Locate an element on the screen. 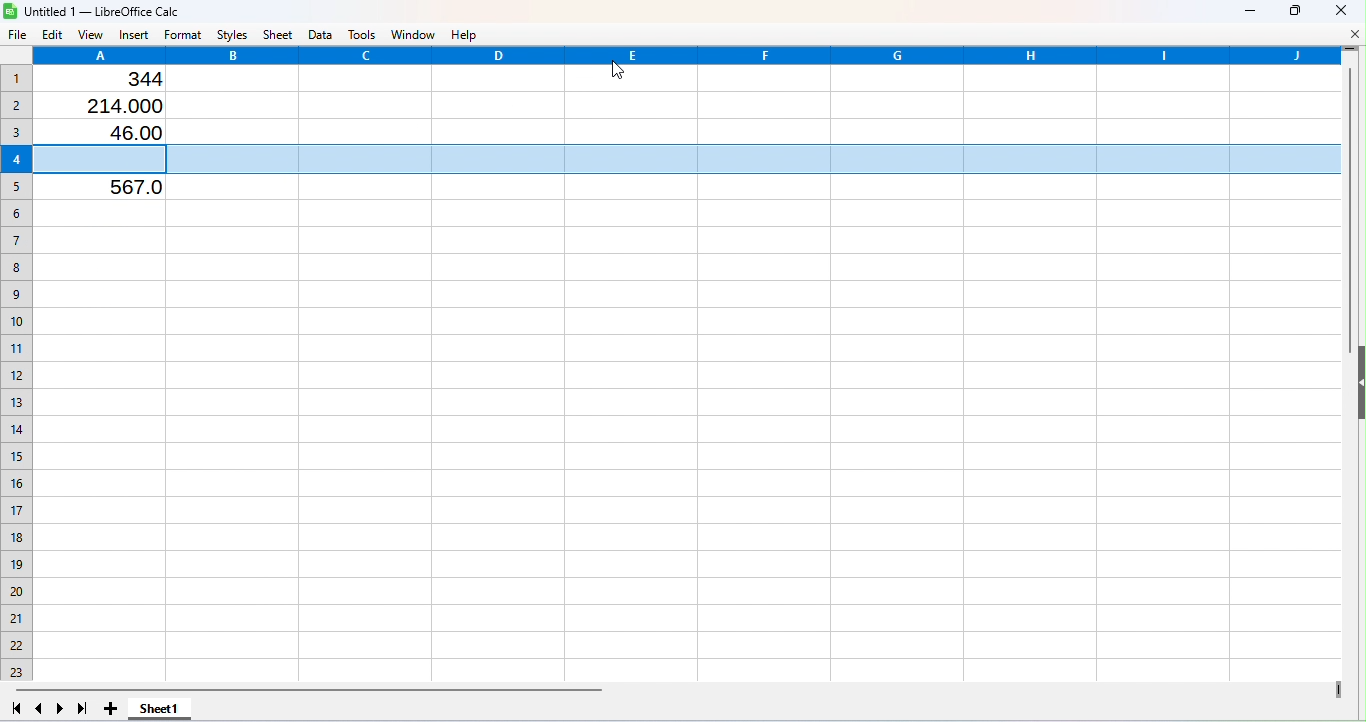 This screenshot has height=722, width=1366. Cursor is located at coordinates (610, 75).